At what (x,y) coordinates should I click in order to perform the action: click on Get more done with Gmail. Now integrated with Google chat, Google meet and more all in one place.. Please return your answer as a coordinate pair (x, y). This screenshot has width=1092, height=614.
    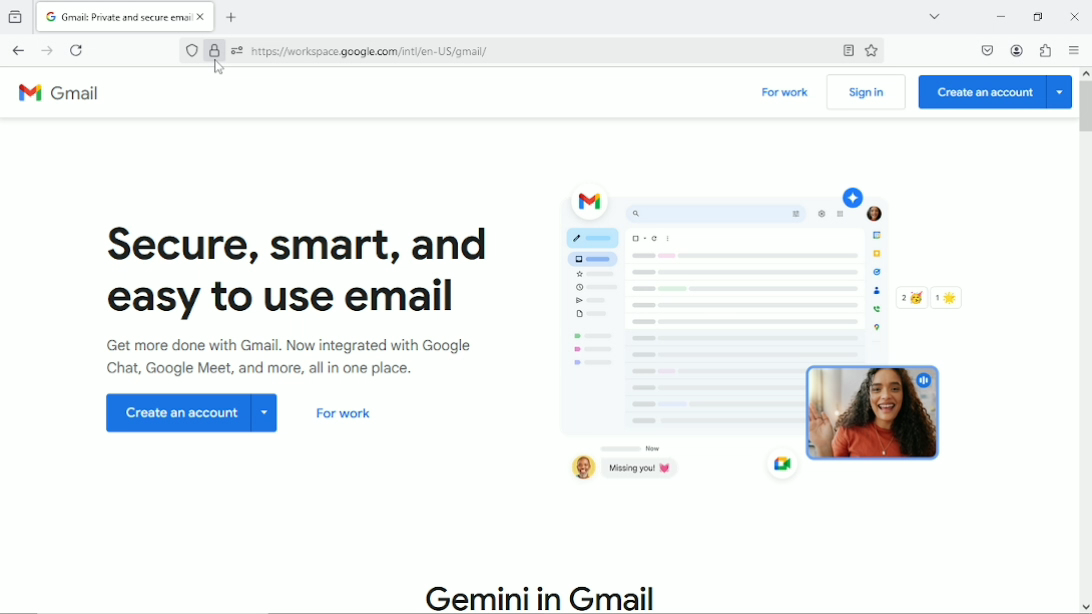
    Looking at the image, I should click on (297, 357).